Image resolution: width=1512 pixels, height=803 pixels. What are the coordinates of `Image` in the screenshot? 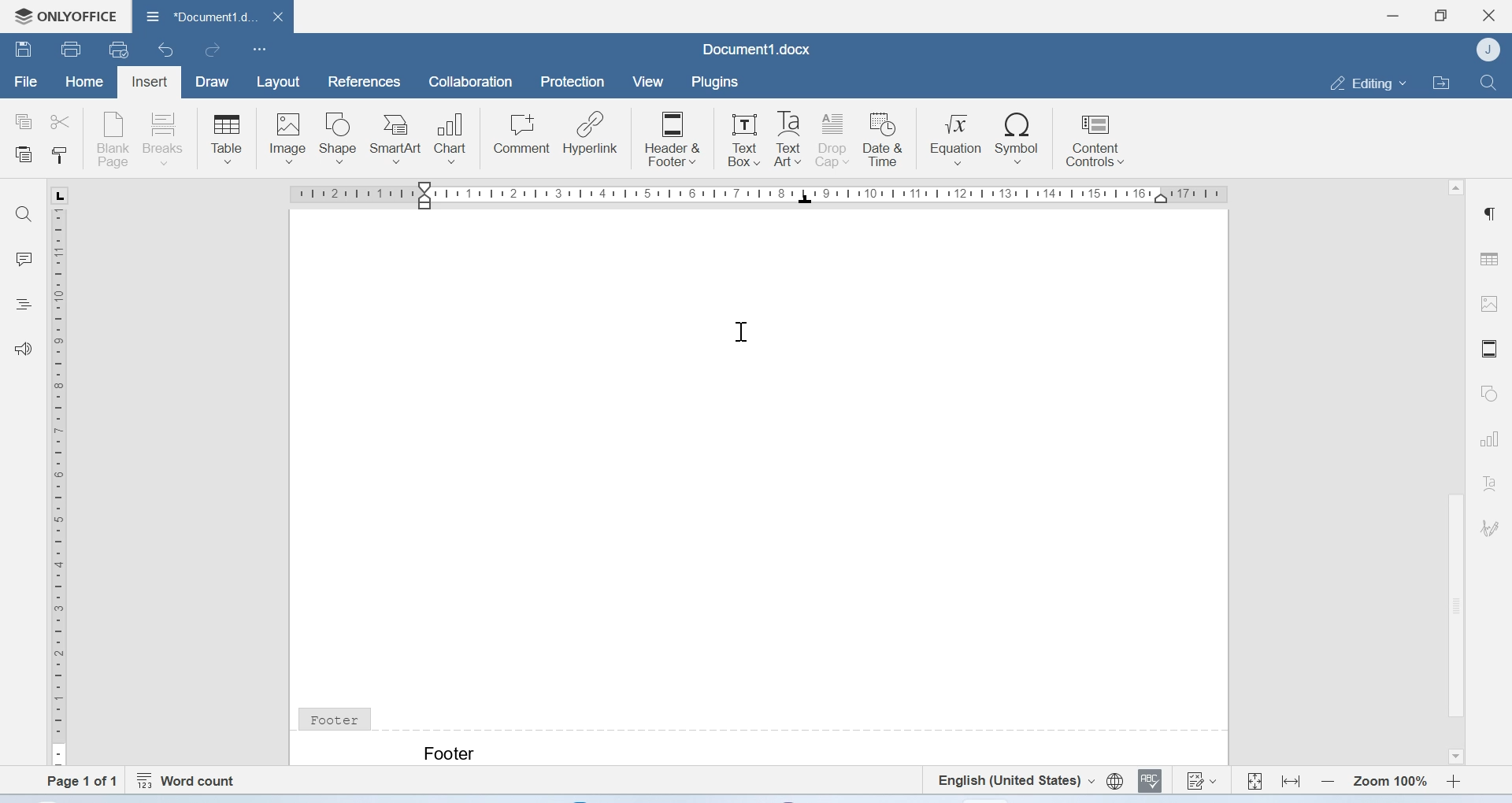 It's located at (1492, 306).